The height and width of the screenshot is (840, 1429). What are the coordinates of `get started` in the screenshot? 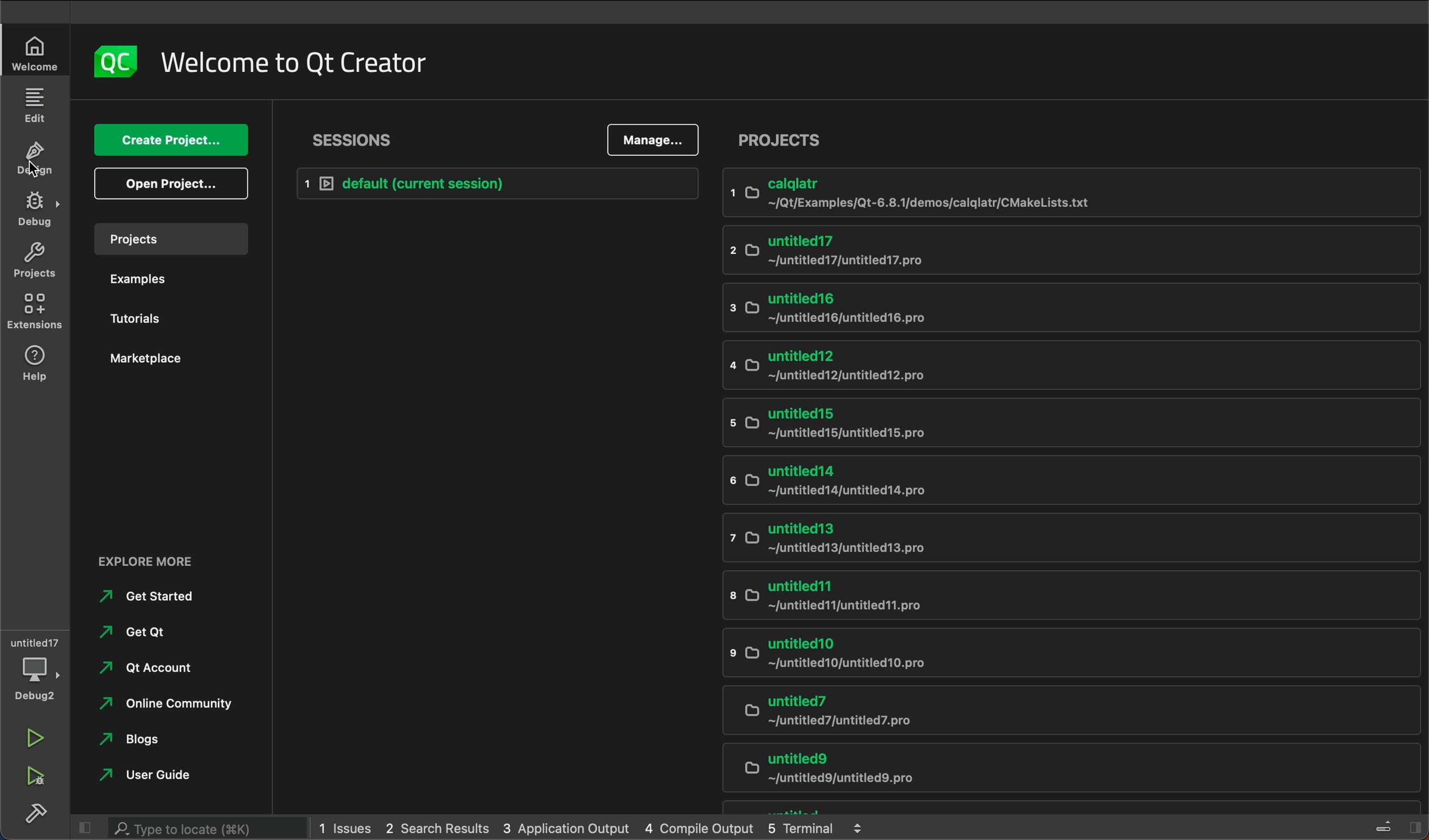 It's located at (145, 599).